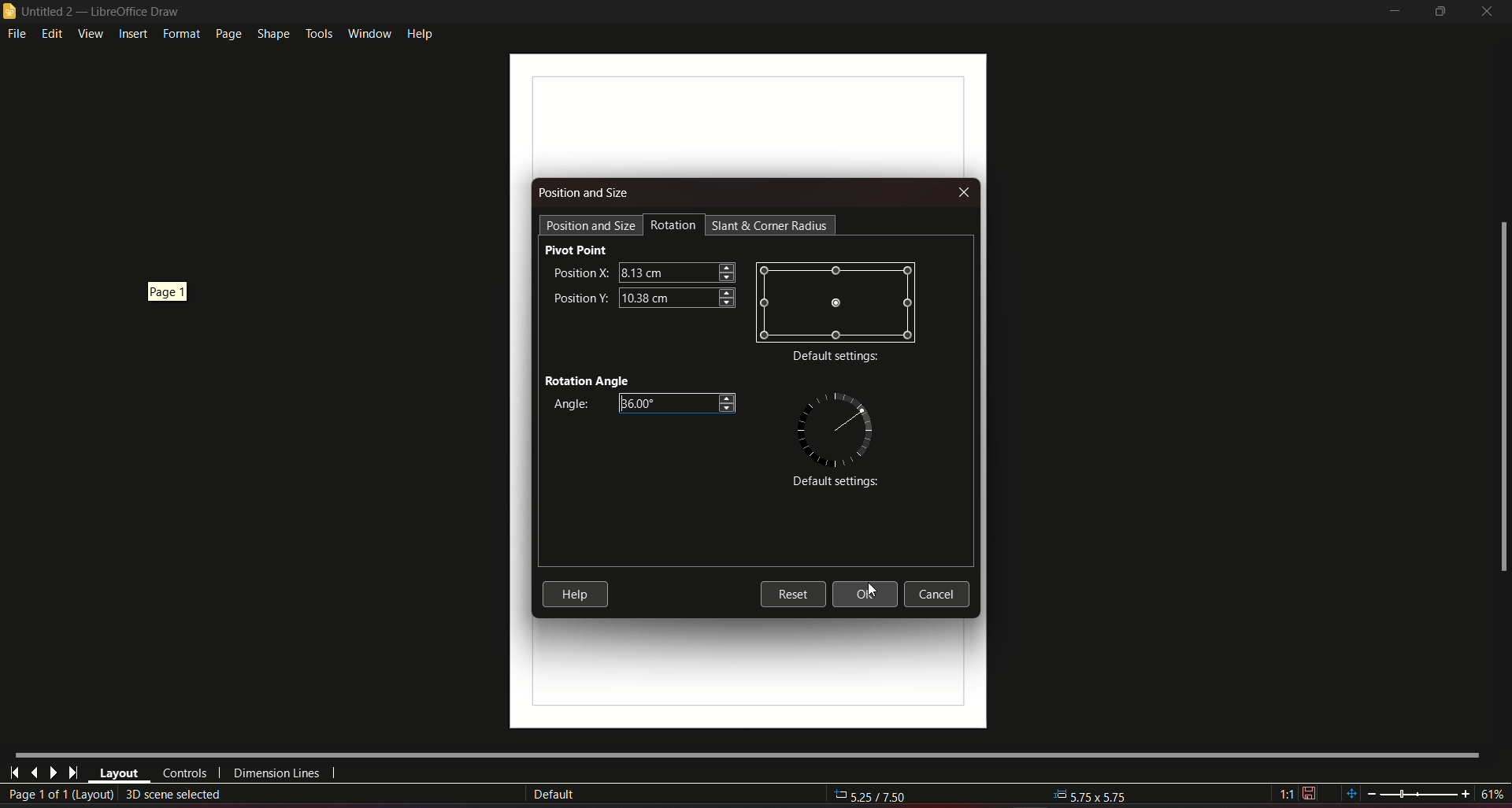  What do you see at coordinates (585, 193) in the screenshot?
I see `Position and size` at bounding box center [585, 193].